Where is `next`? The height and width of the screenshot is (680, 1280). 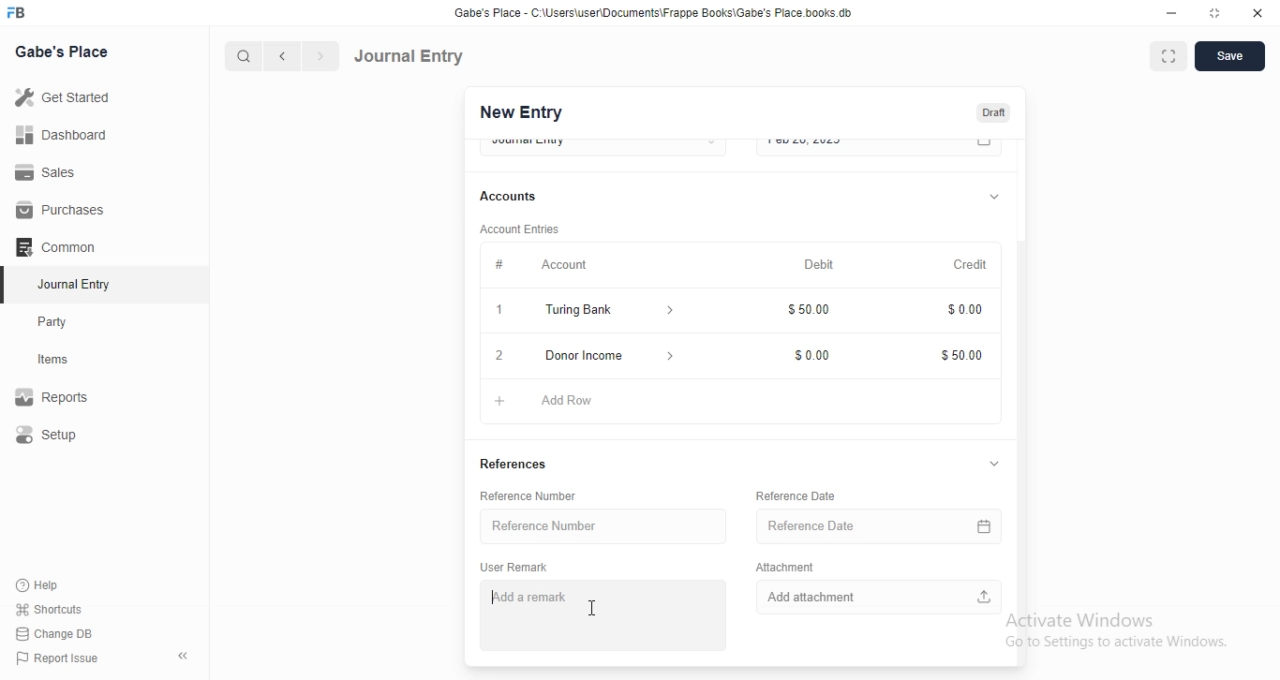
next is located at coordinates (318, 57).